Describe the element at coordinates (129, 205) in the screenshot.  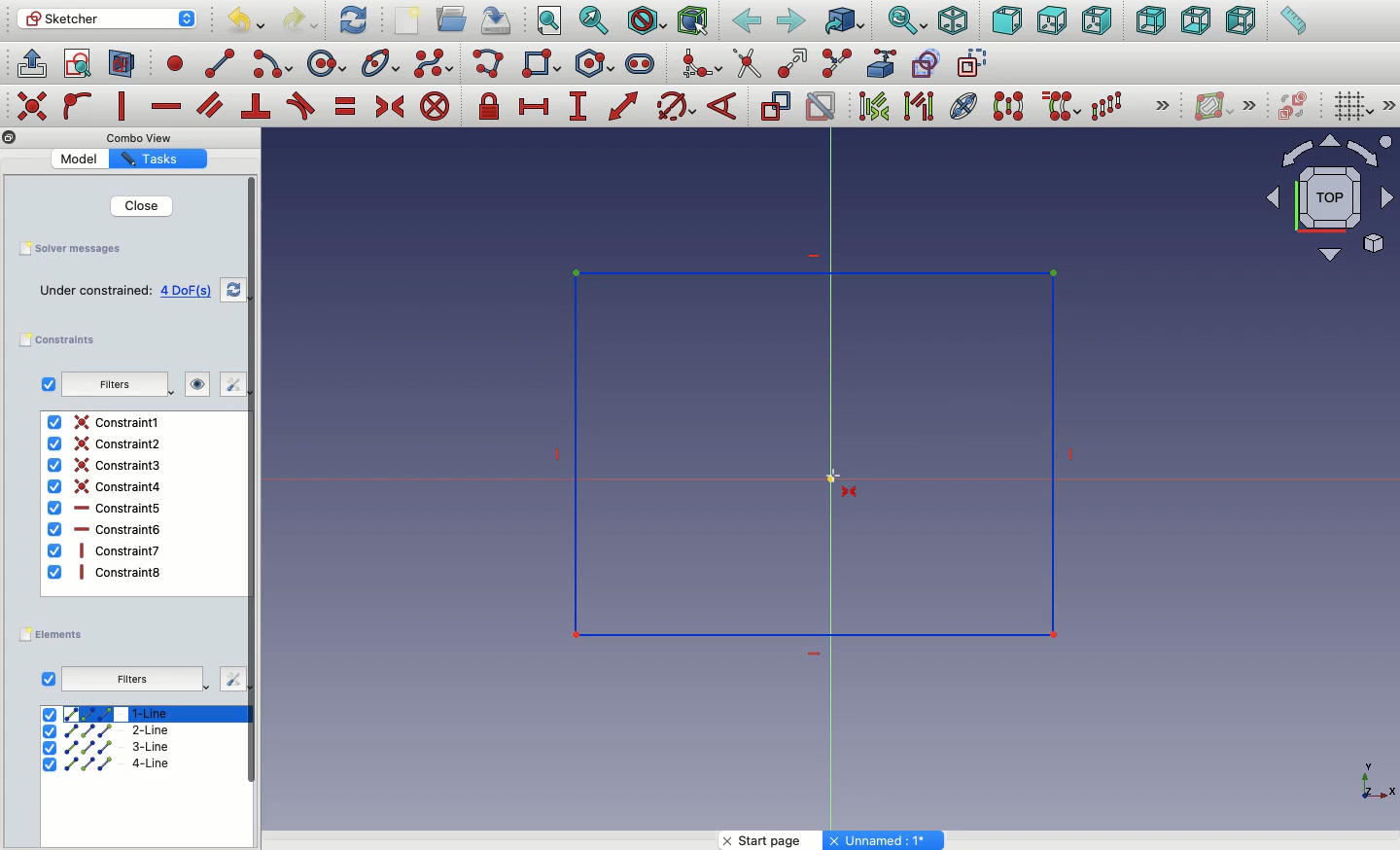
I see `Close` at that location.